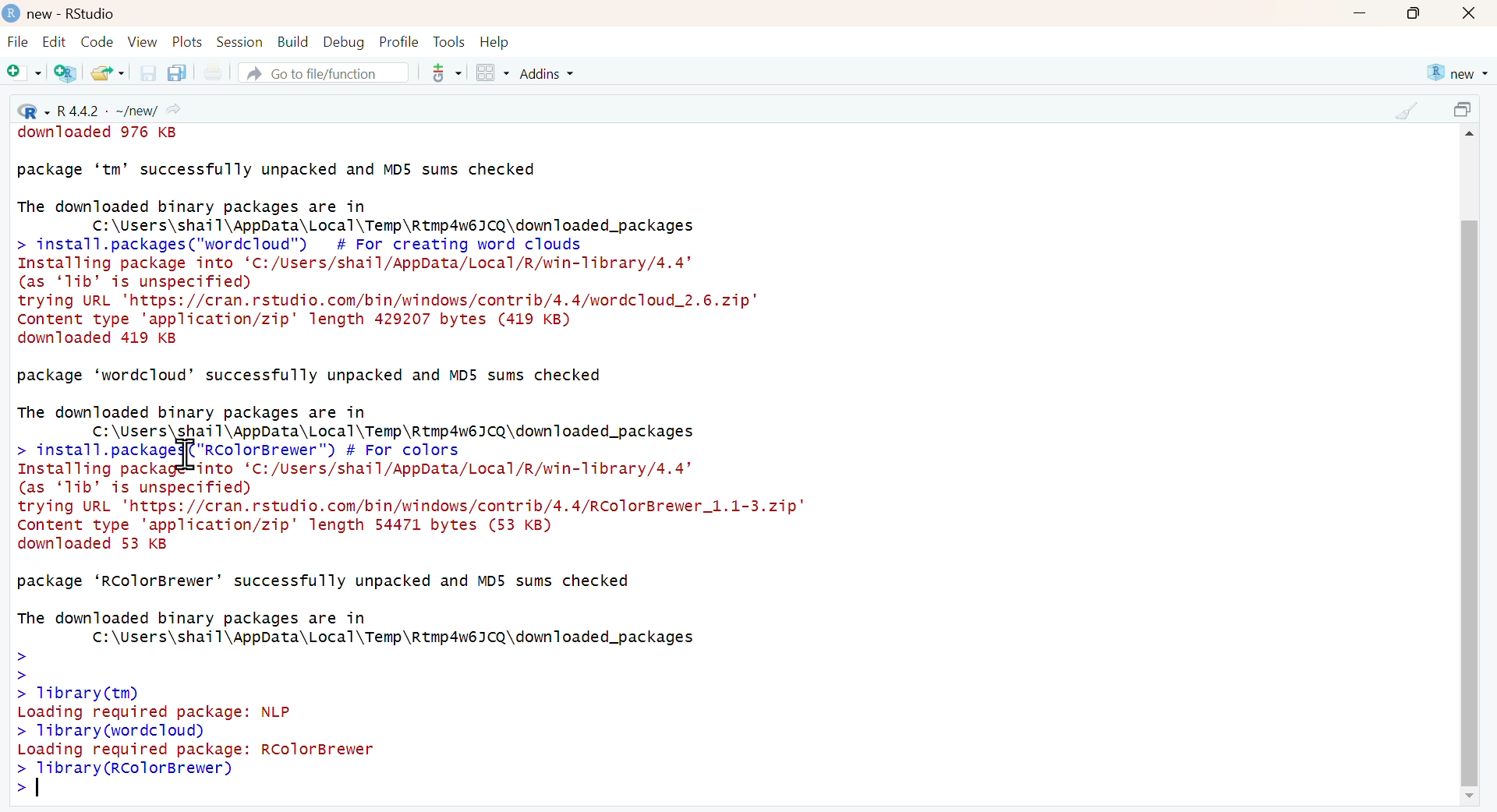 This screenshot has width=1497, height=812. I want to click on New file, so click(23, 73).